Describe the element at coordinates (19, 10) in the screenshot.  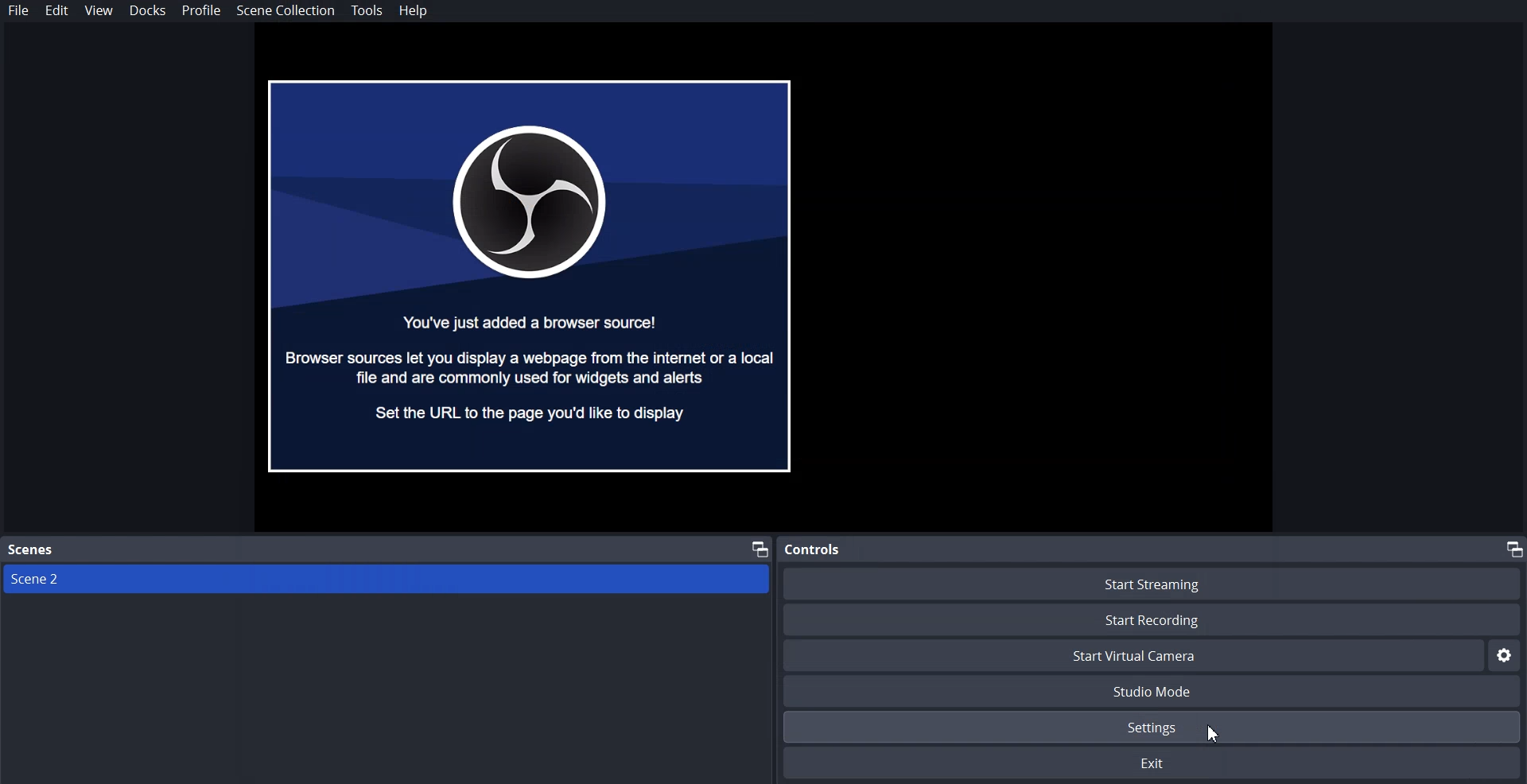
I see `File` at that location.